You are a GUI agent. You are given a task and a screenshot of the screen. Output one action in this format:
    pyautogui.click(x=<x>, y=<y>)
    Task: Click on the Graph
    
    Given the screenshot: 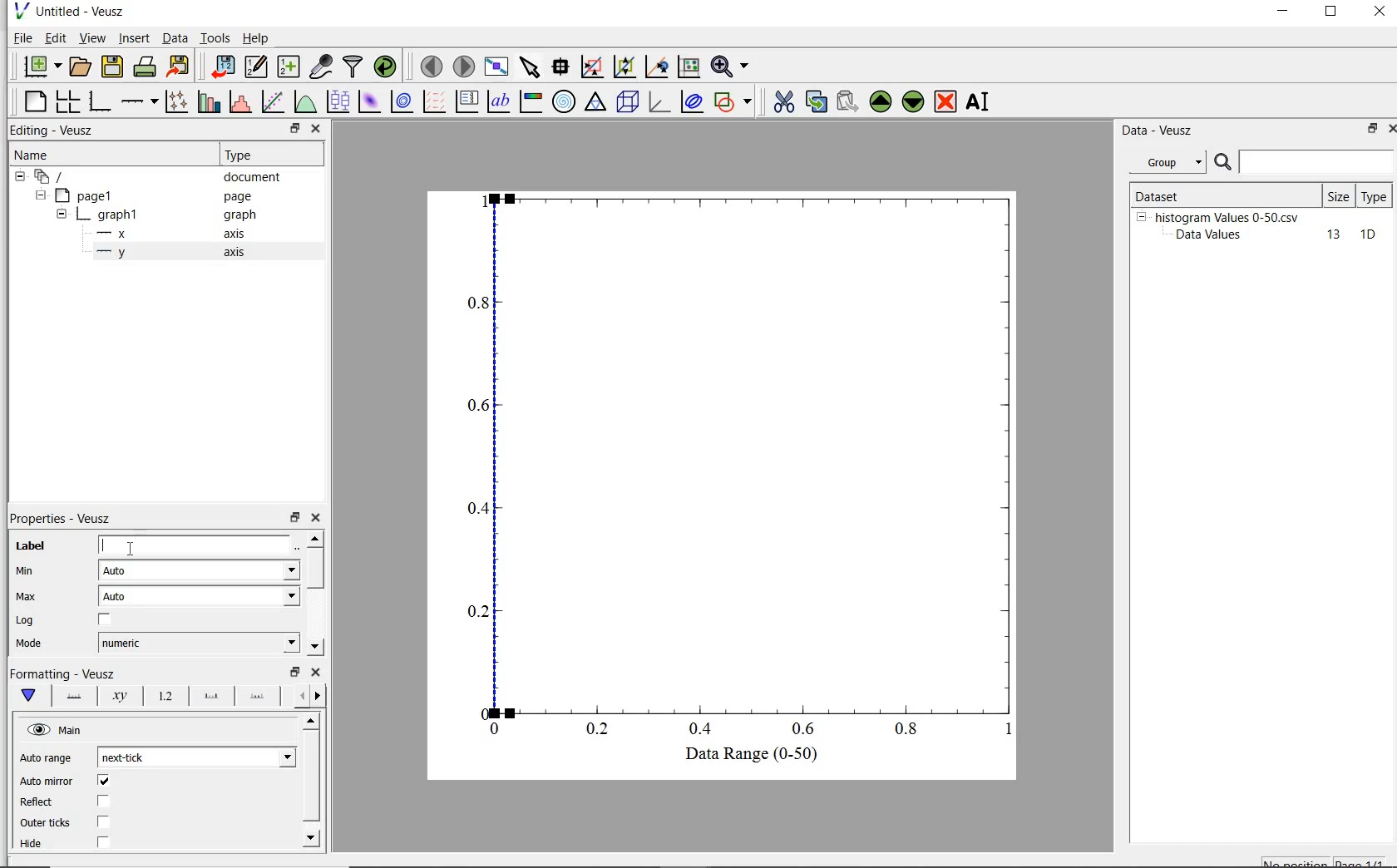 What is the action you would take?
    pyautogui.click(x=740, y=462)
    